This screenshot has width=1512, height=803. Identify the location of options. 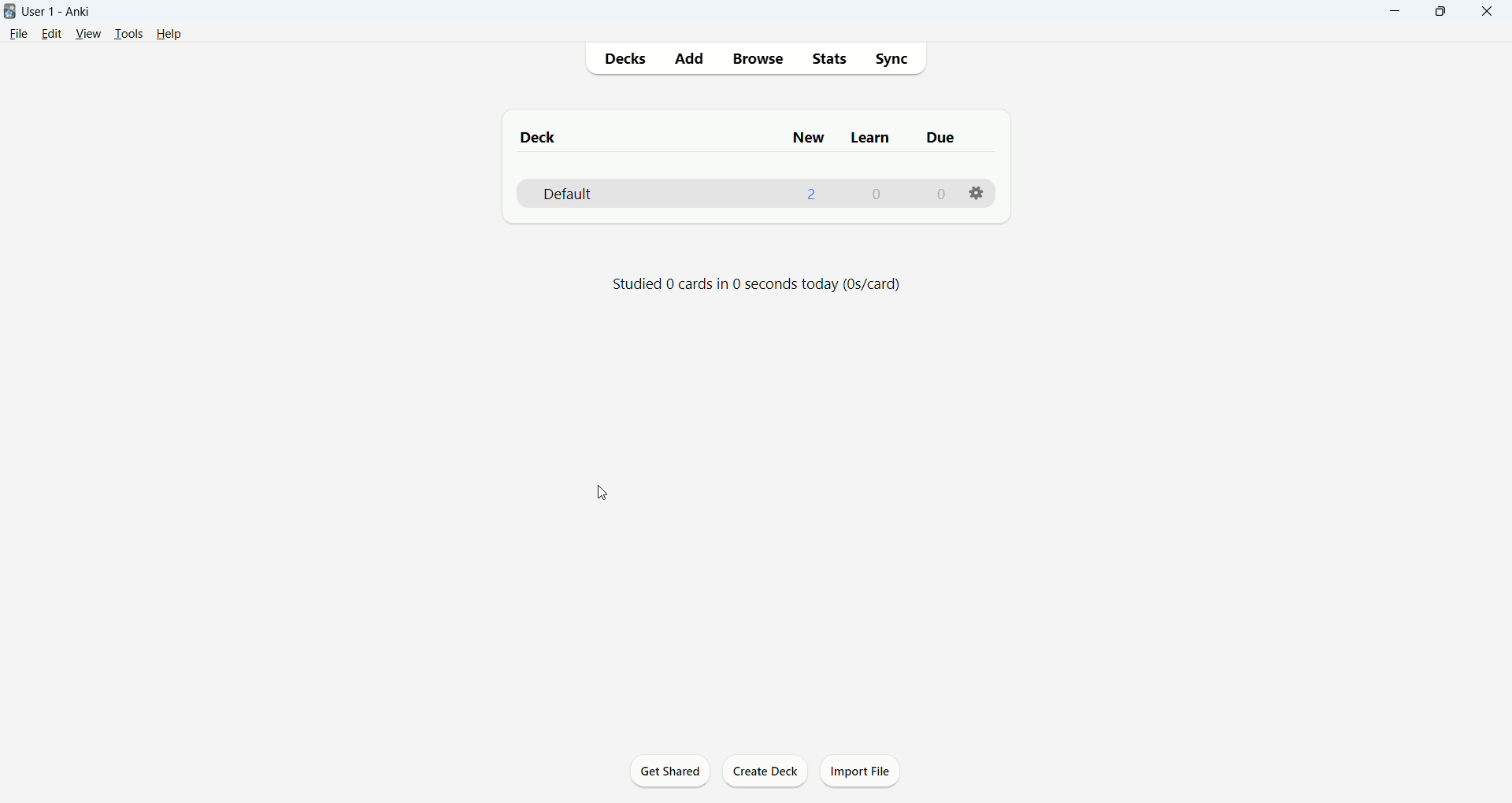
(979, 194).